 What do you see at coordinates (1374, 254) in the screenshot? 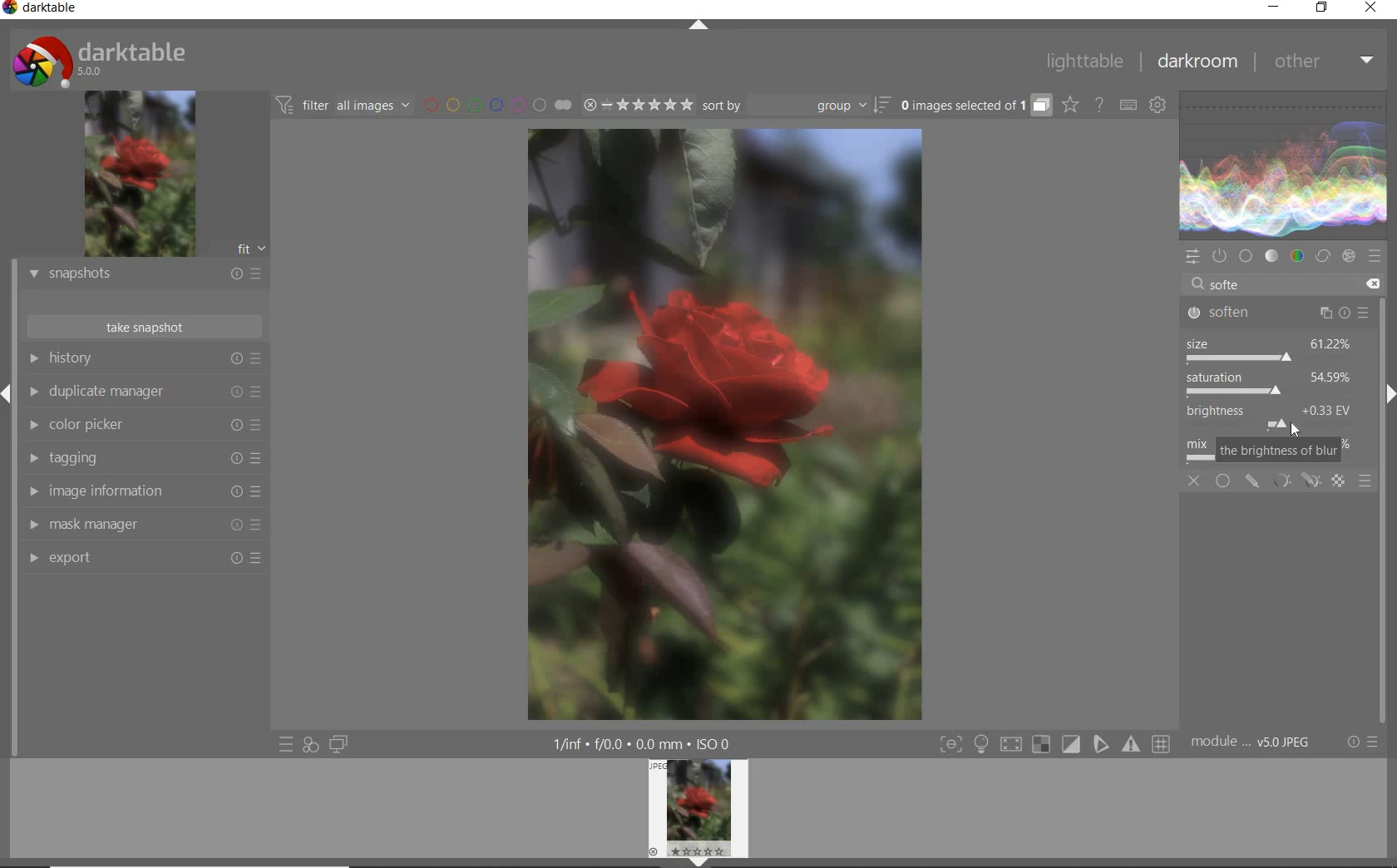
I see `presets` at bounding box center [1374, 254].